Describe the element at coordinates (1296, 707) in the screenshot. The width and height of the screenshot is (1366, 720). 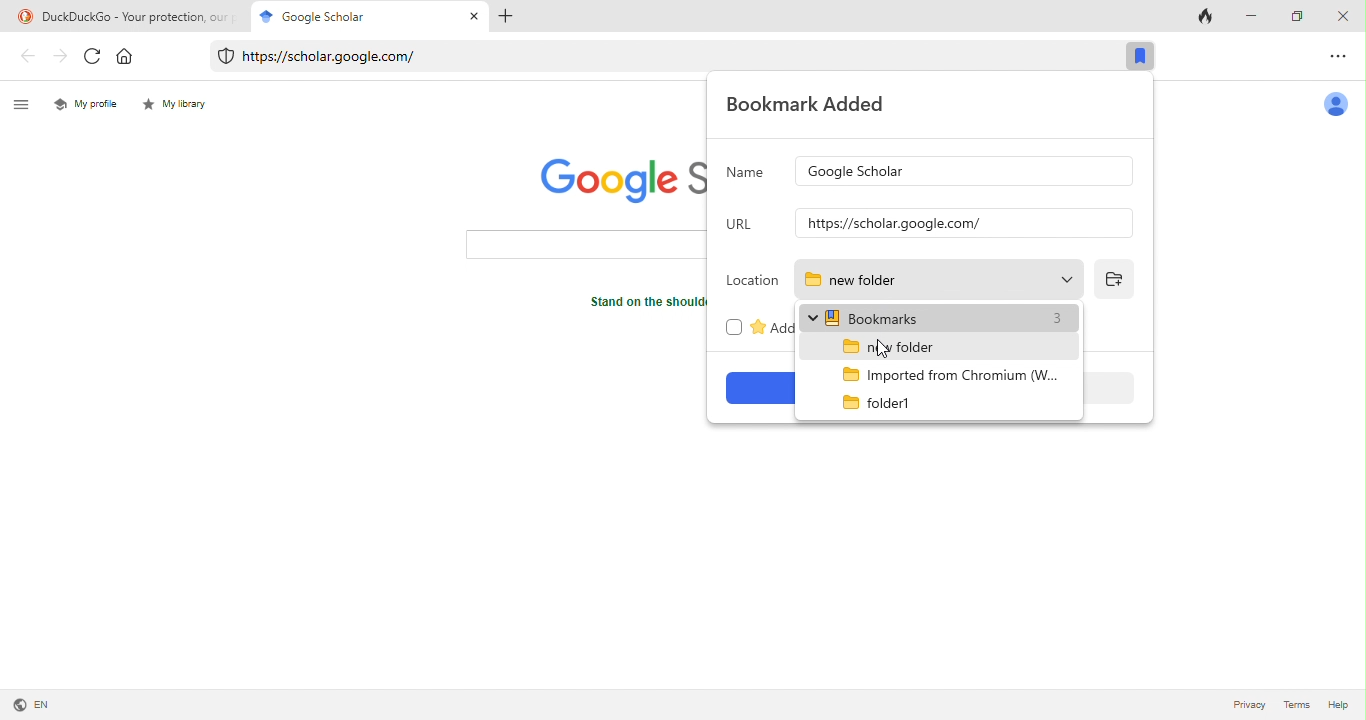
I see `terms` at that location.